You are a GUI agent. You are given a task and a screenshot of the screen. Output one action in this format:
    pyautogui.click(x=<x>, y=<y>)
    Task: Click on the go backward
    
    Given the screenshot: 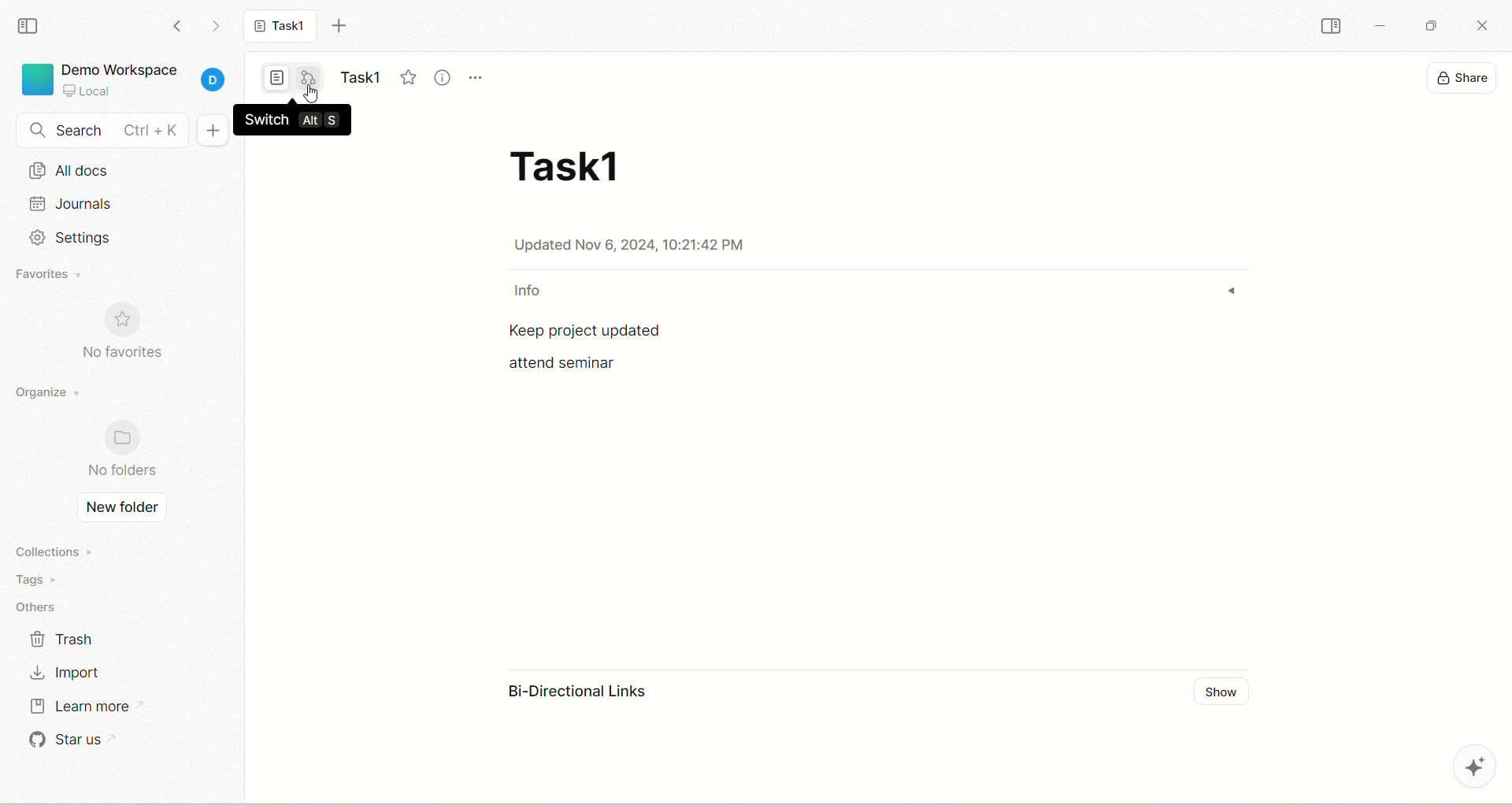 What is the action you would take?
    pyautogui.click(x=176, y=24)
    